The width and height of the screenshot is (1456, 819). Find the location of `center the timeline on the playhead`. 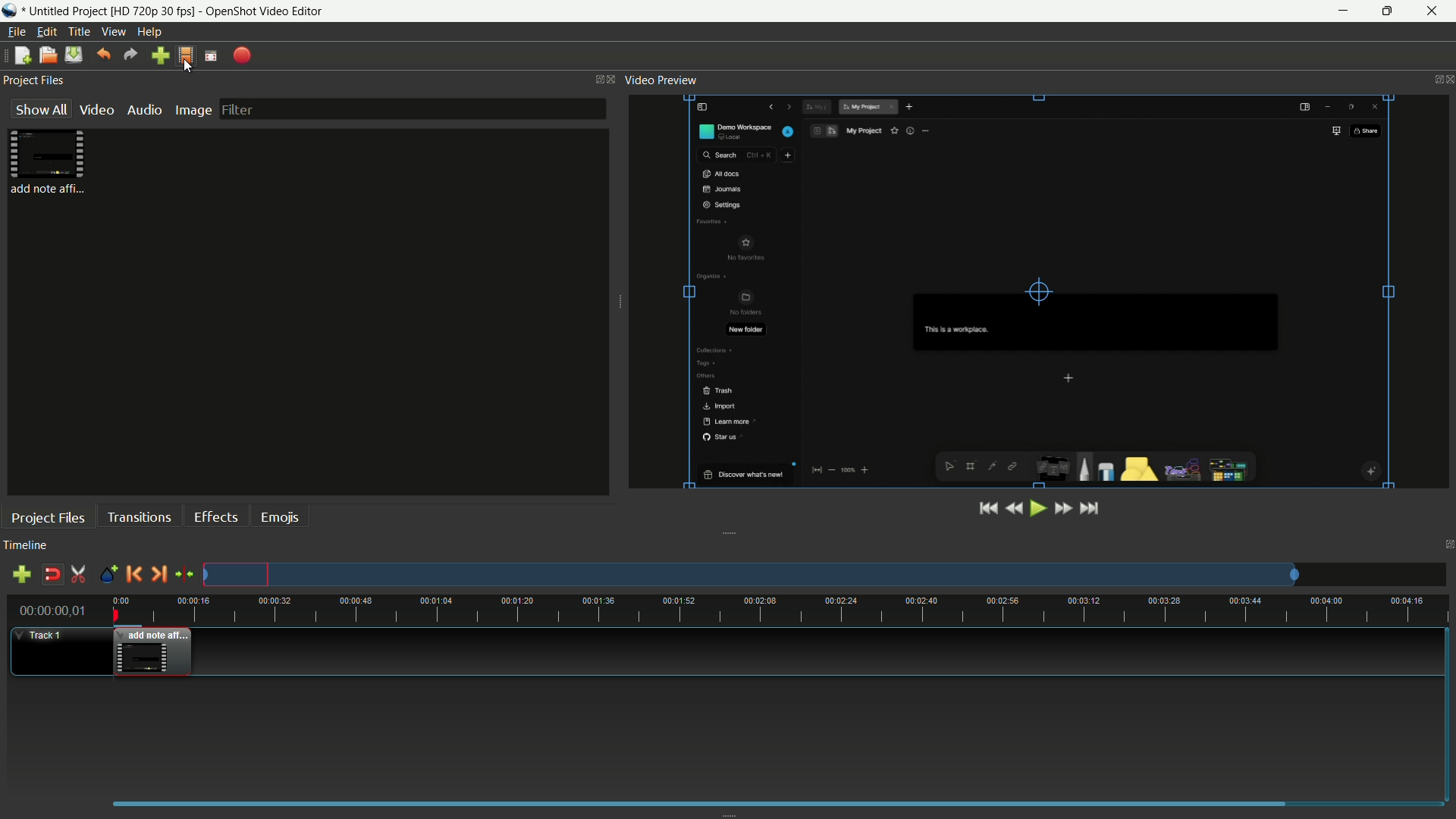

center the timeline on the playhead is located at coordinates (185, 575).